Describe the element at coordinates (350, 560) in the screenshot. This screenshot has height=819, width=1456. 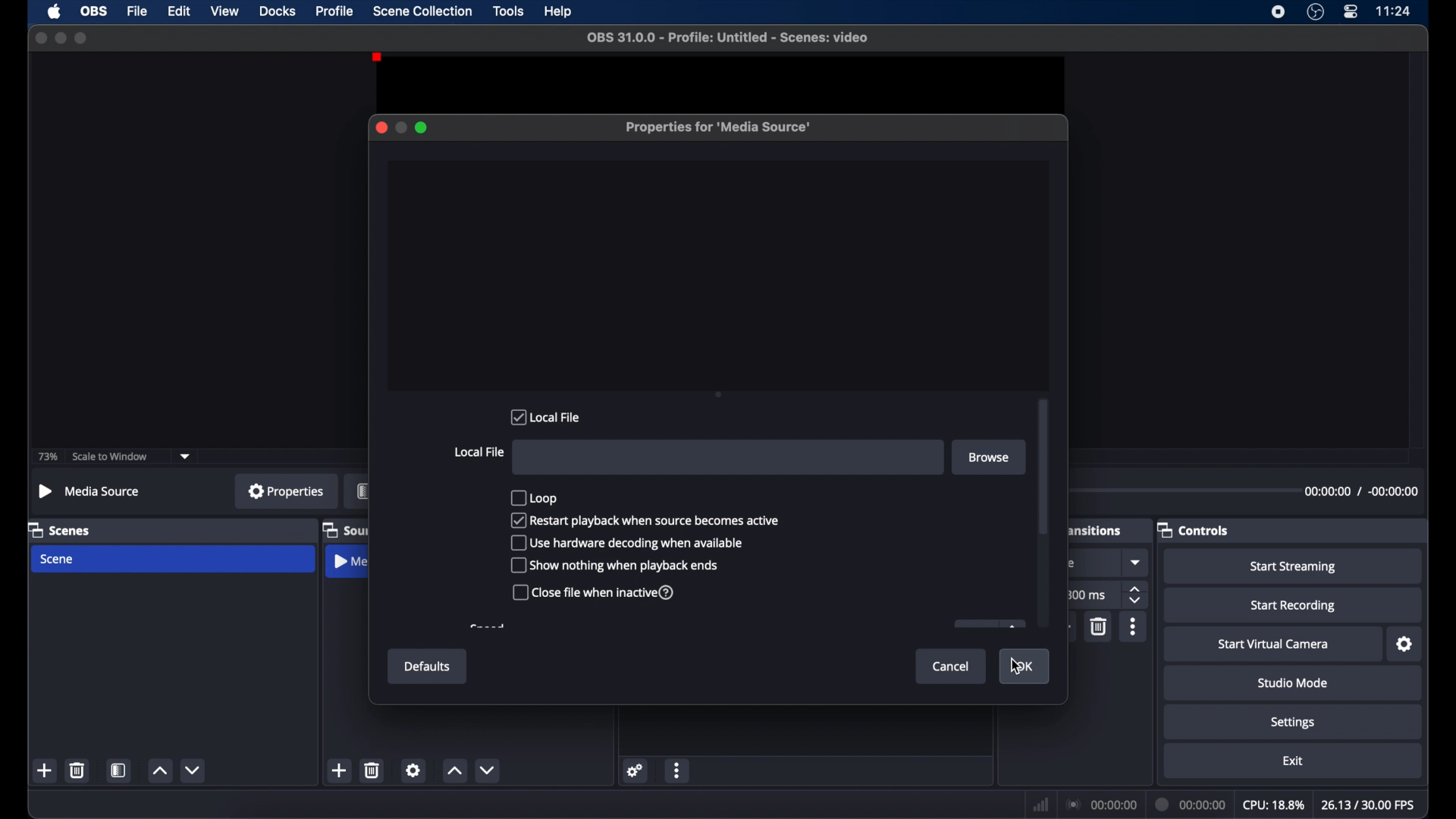
I see `media source` at that location.